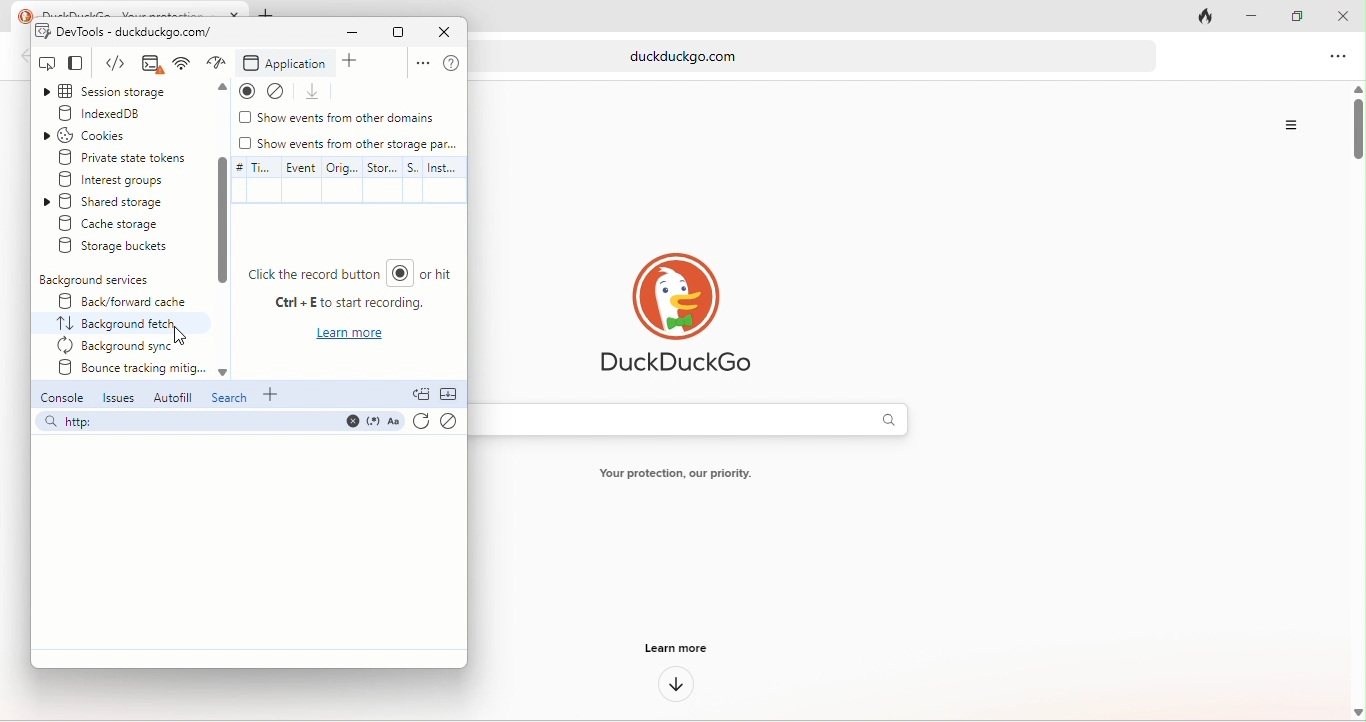 The image size is (1366, 722). Describe the element at coordinates (444, 181) in the screenshot. I see `instant id` at that location.